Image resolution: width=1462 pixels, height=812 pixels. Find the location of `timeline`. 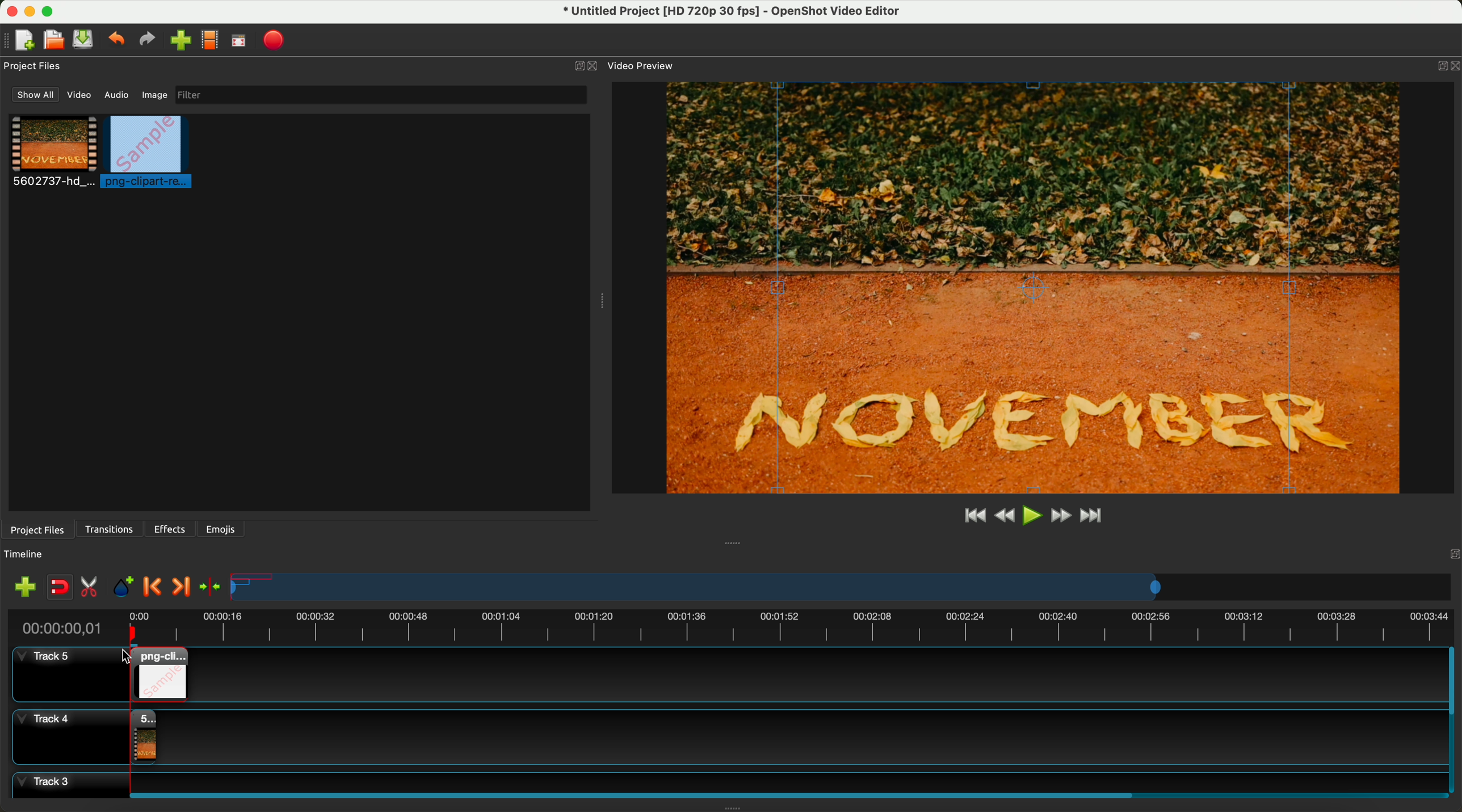

timeline is located at coordinates (30, 554).